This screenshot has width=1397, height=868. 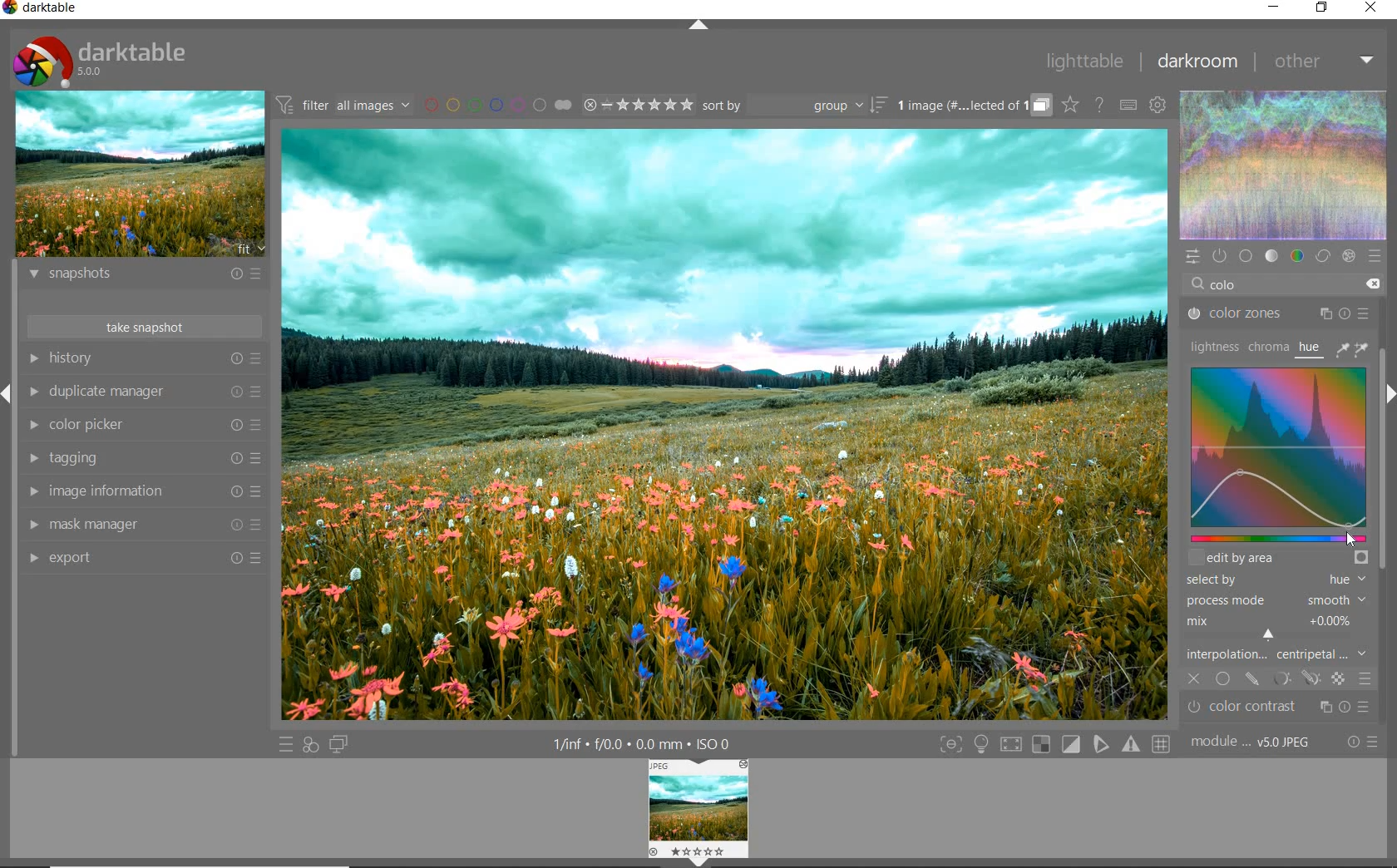 I want to click on cursor position, so click(x=1353, y=538).